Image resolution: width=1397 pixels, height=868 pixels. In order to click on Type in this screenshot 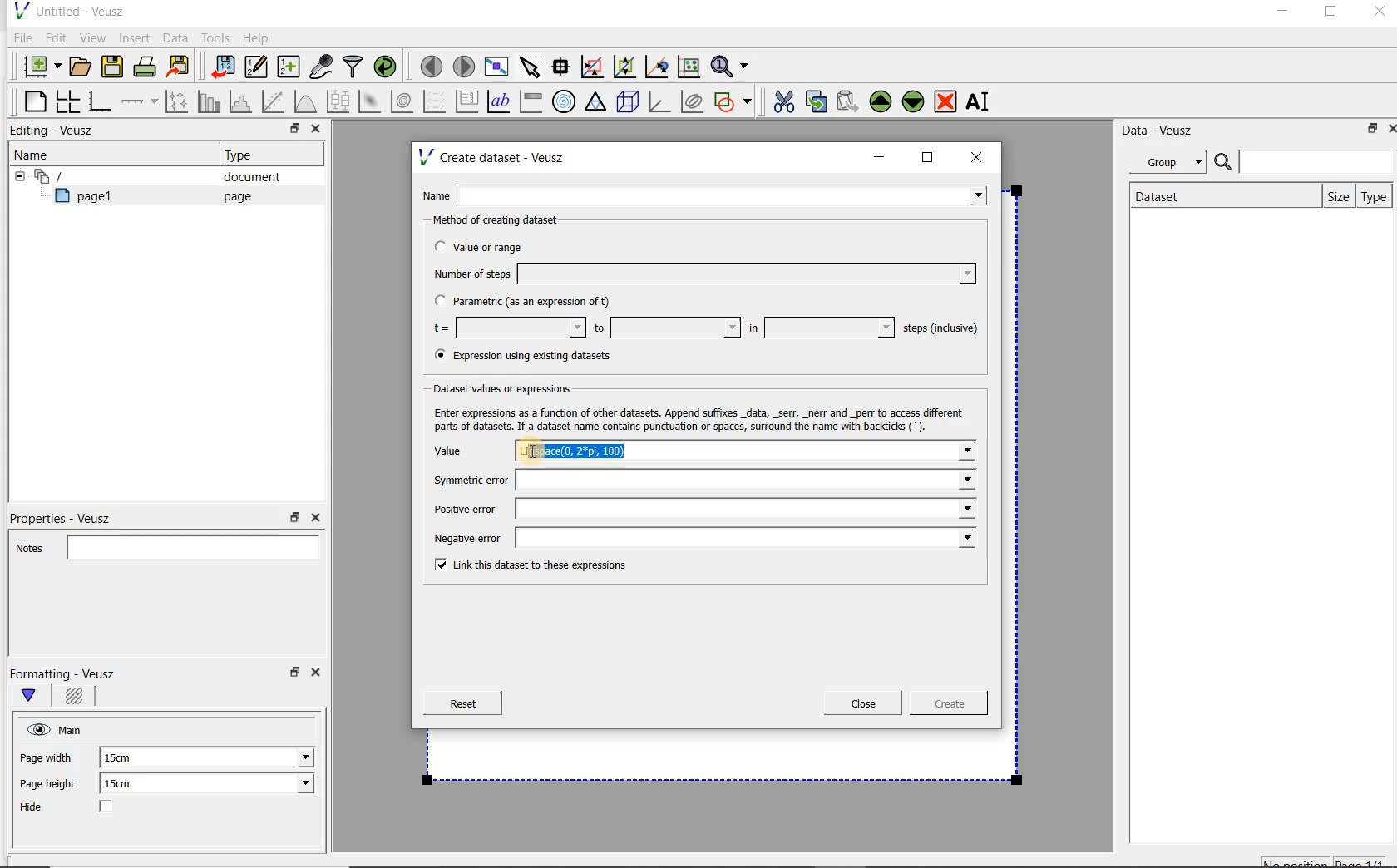, I will do `click(245, 155)`.